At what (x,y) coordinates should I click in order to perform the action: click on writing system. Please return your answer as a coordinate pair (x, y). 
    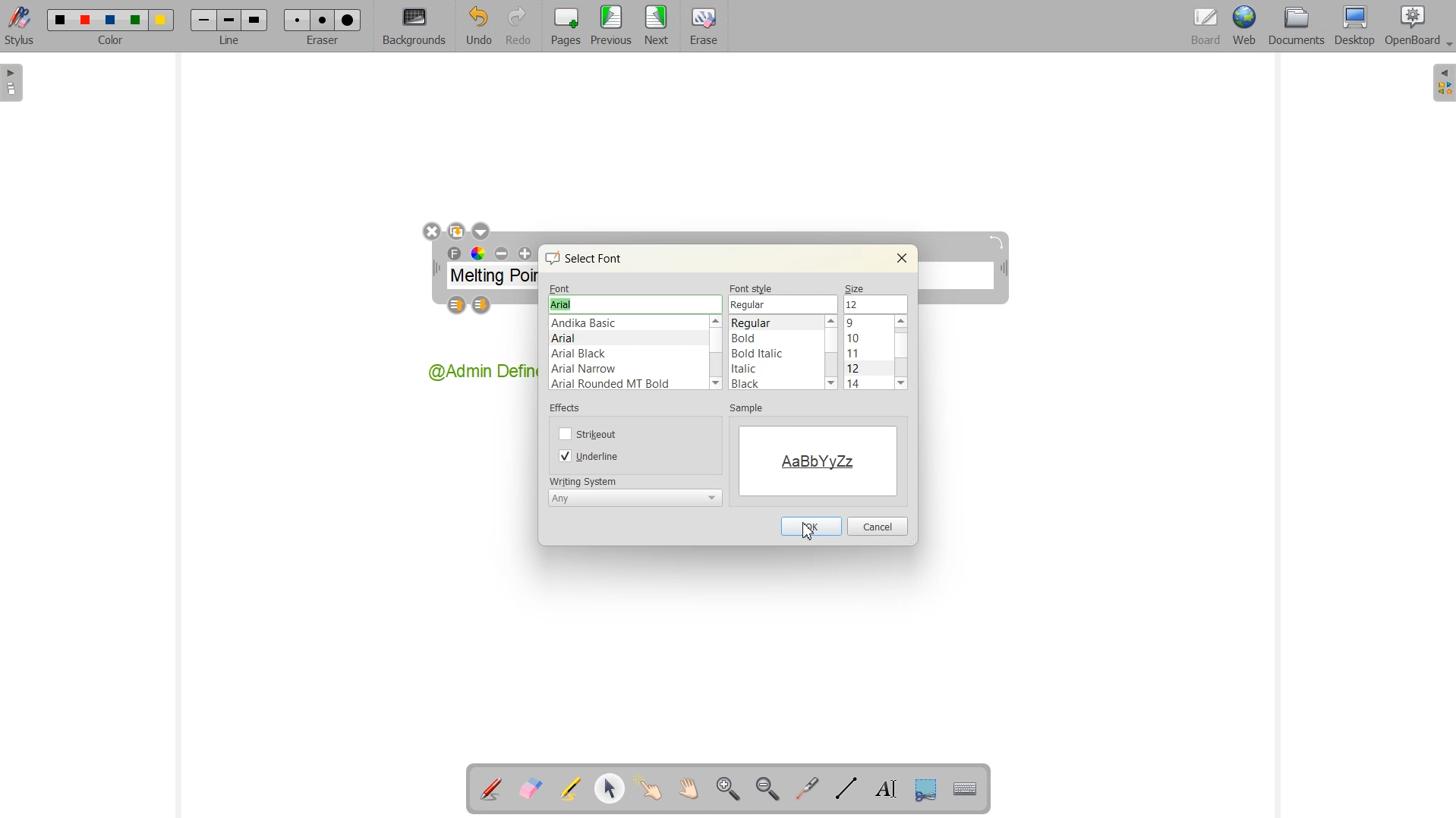
    Looking at the image, I should click on (583, 480).